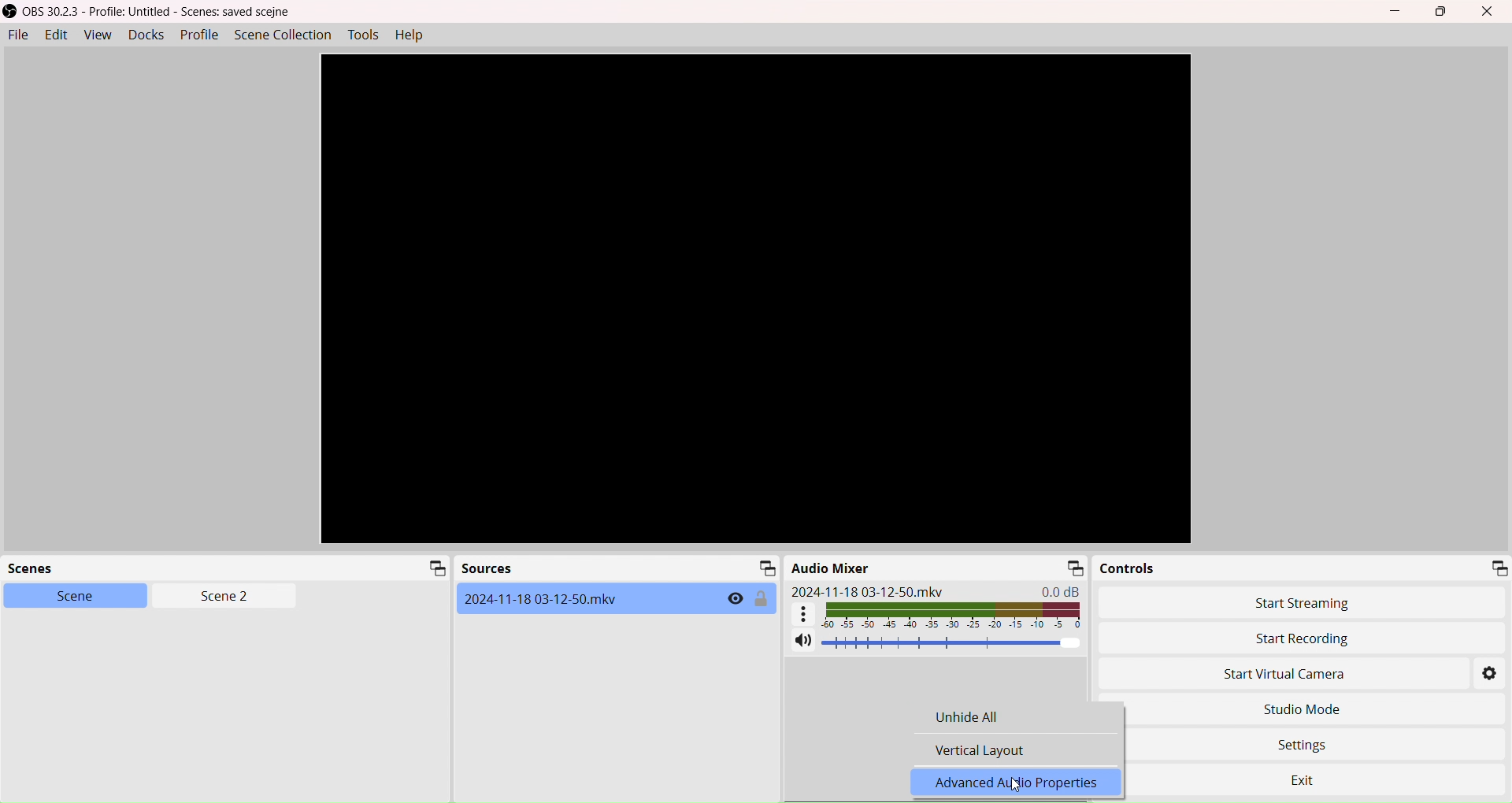 The image size is (1512, 803). What do you see at coordinates (217, 597) in the screenshot?
I see `Scene 2` at bounding box center [217, 597].